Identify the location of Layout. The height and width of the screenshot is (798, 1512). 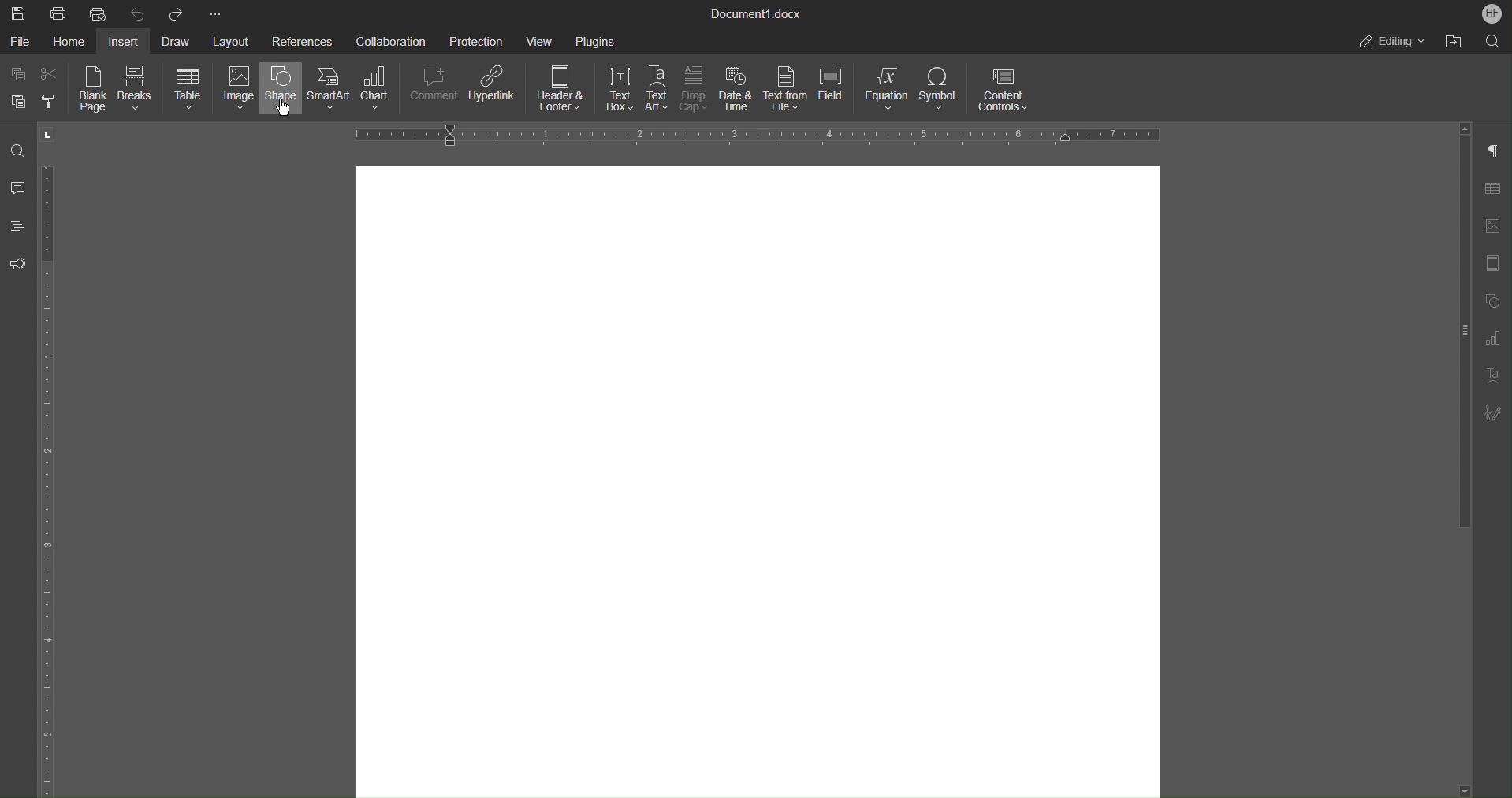
(233, 39).